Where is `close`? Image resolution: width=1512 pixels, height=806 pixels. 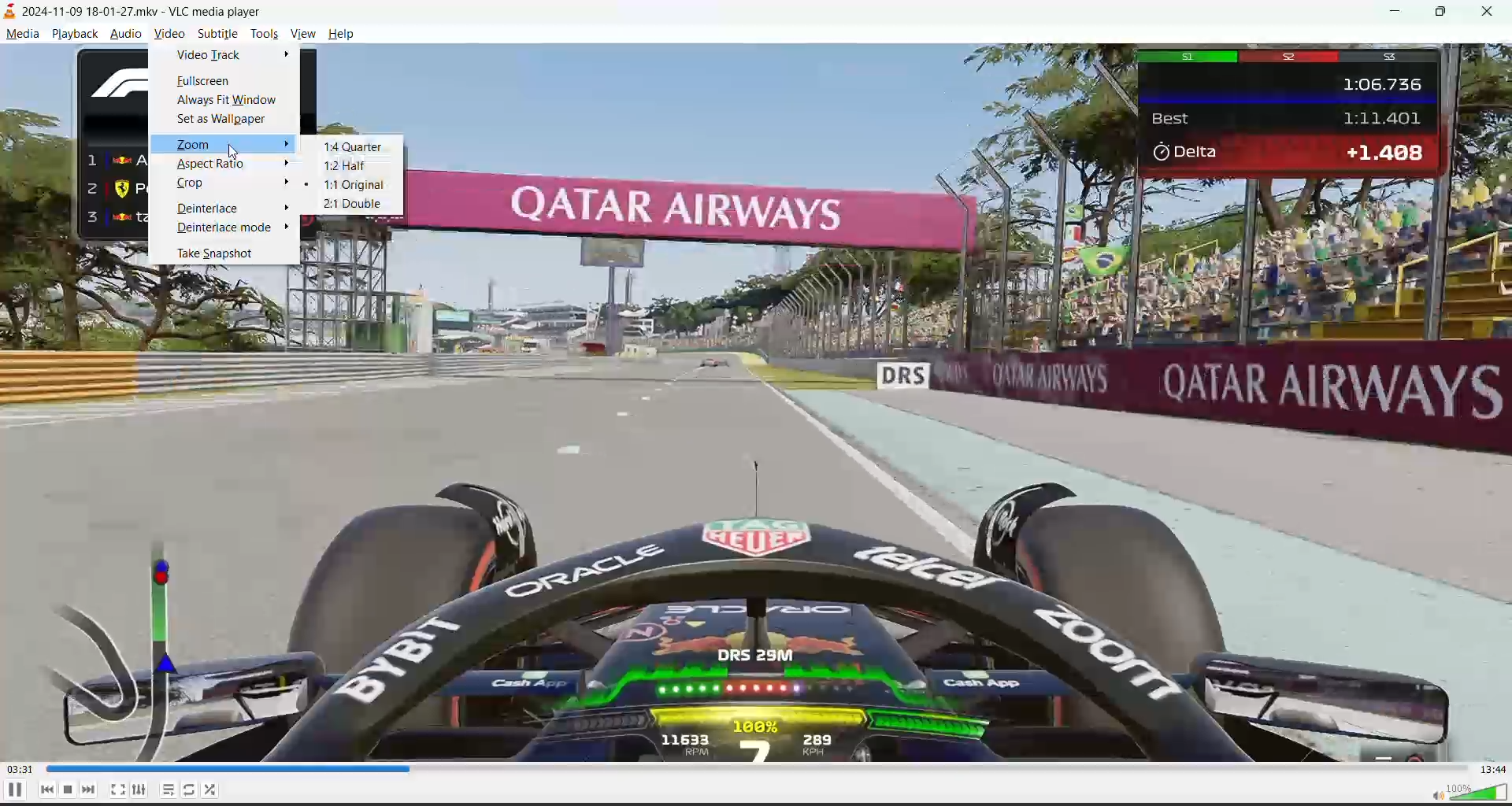
close is located at coordinates (1488, 13).